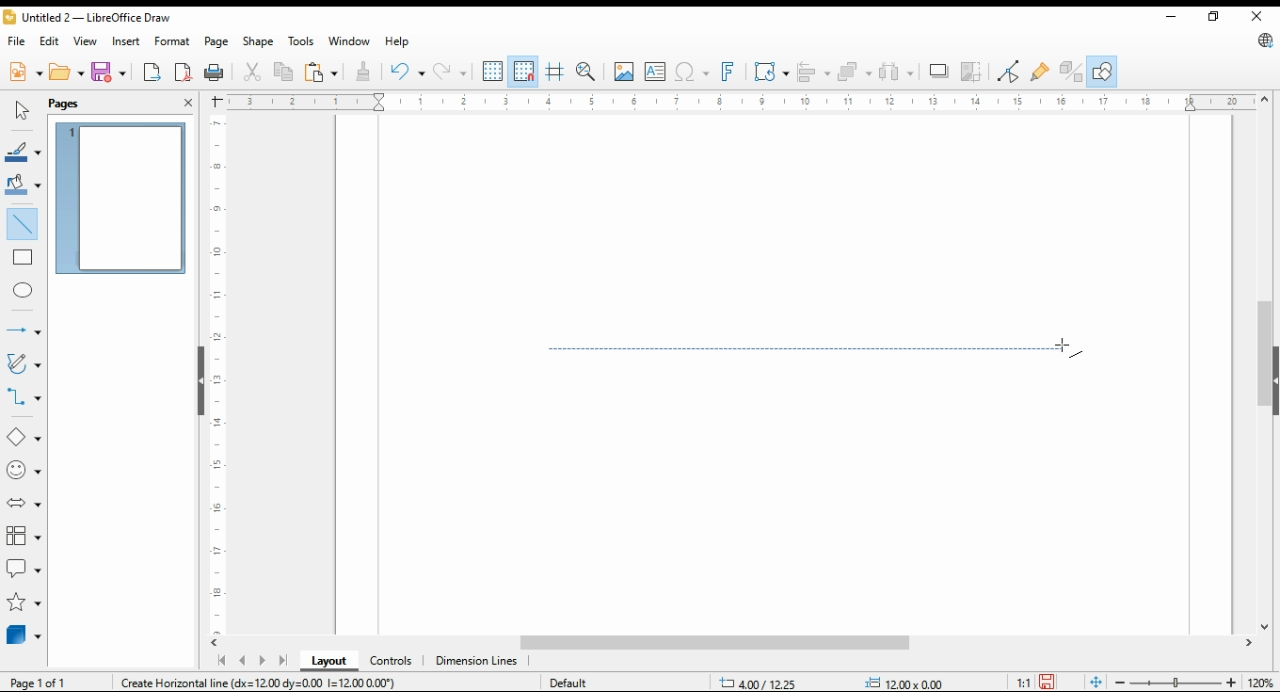 The width and height of the screenshot is (1280, 692). I want to click on insert fontwork text, so click(726, 72).